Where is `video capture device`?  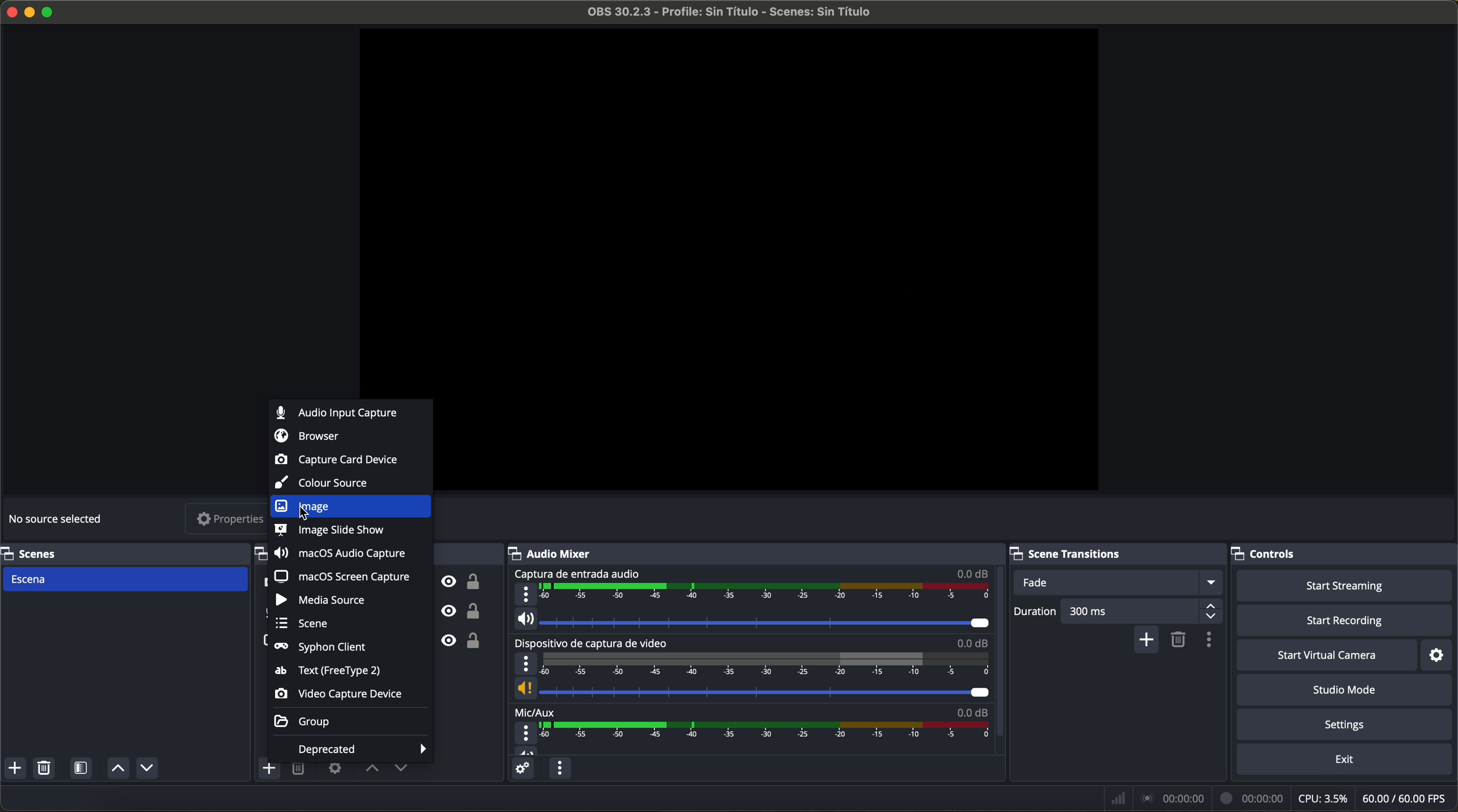 video capture device is located at coordinates (266, 582).